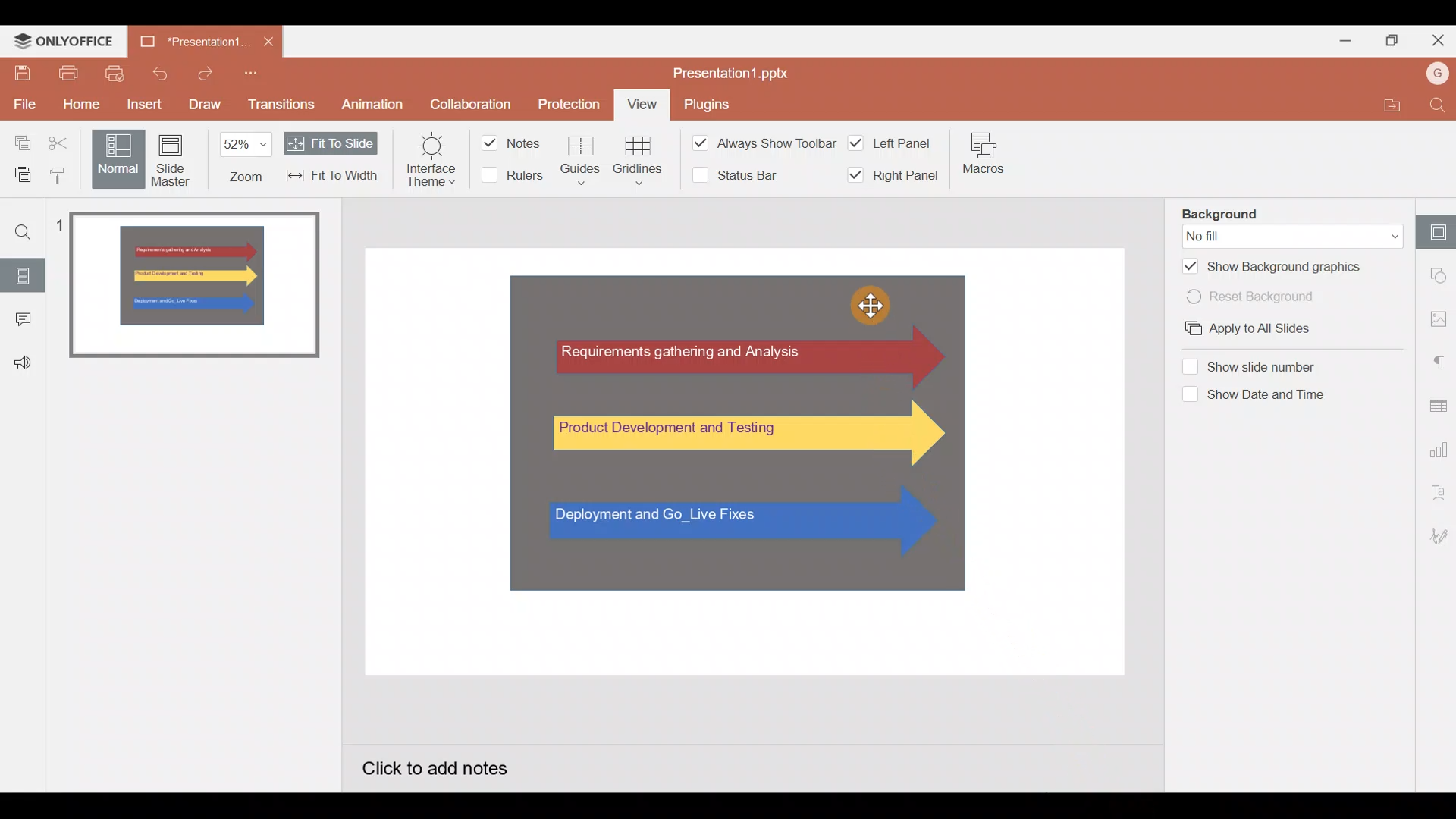  Describe the element at coordinates (115, 158) in the screenshot. I see `Normal` at that location.